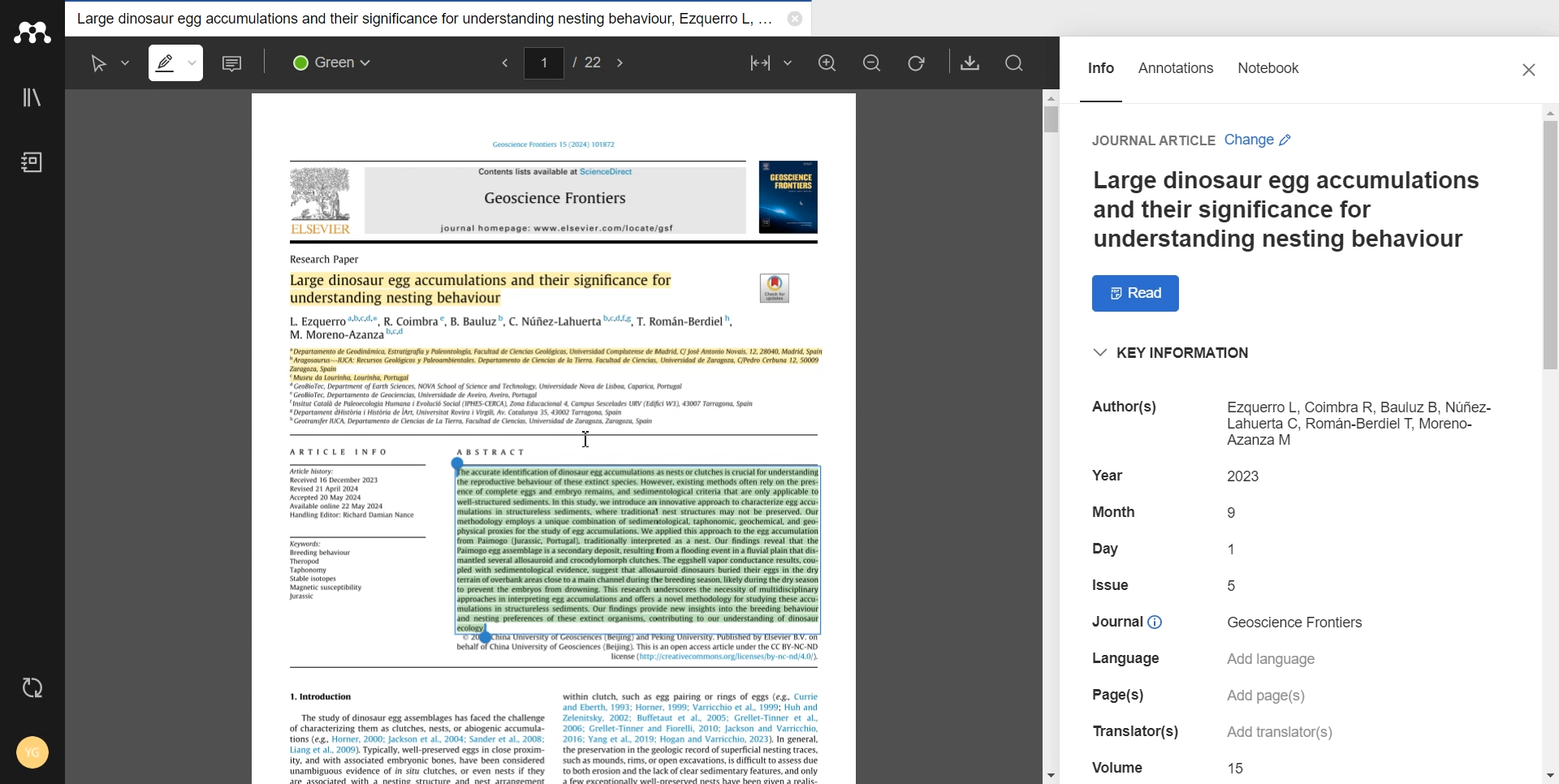 The height and width of the screenshot is (784, 1559). I want to click on Vertical scroll bar, so click(1053, 432).